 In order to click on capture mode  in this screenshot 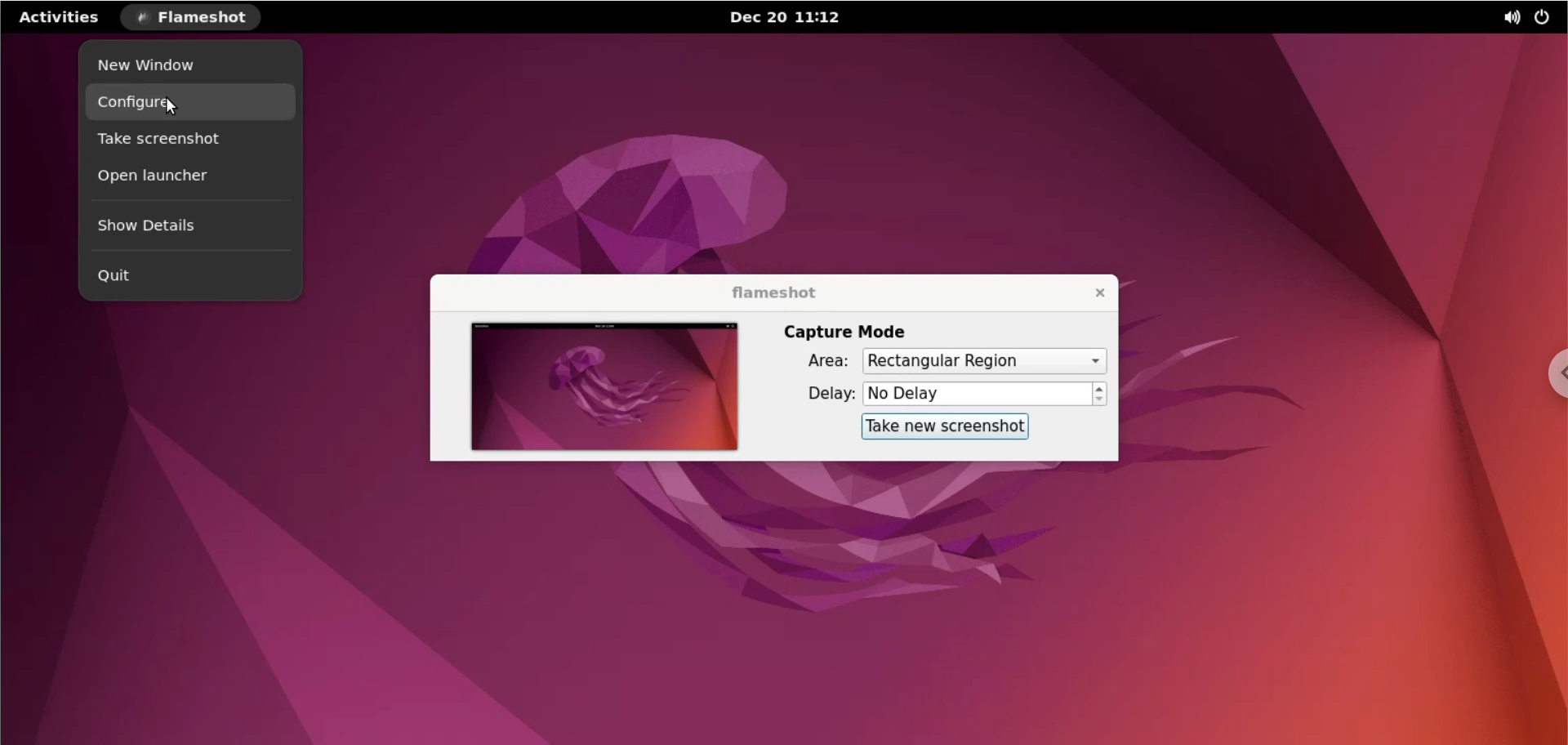, I will do `click(850, 332)`.